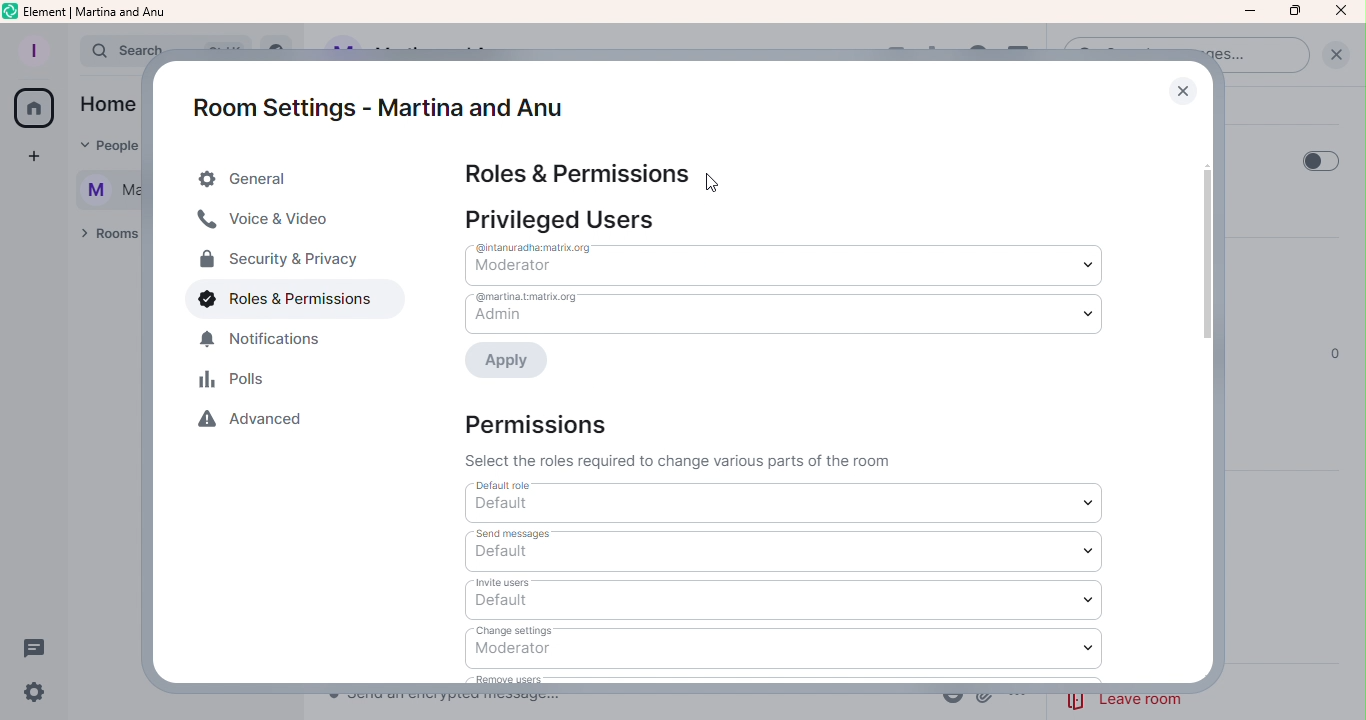 The image size is (1366, 720). I want to click on General, so click(285, 179).